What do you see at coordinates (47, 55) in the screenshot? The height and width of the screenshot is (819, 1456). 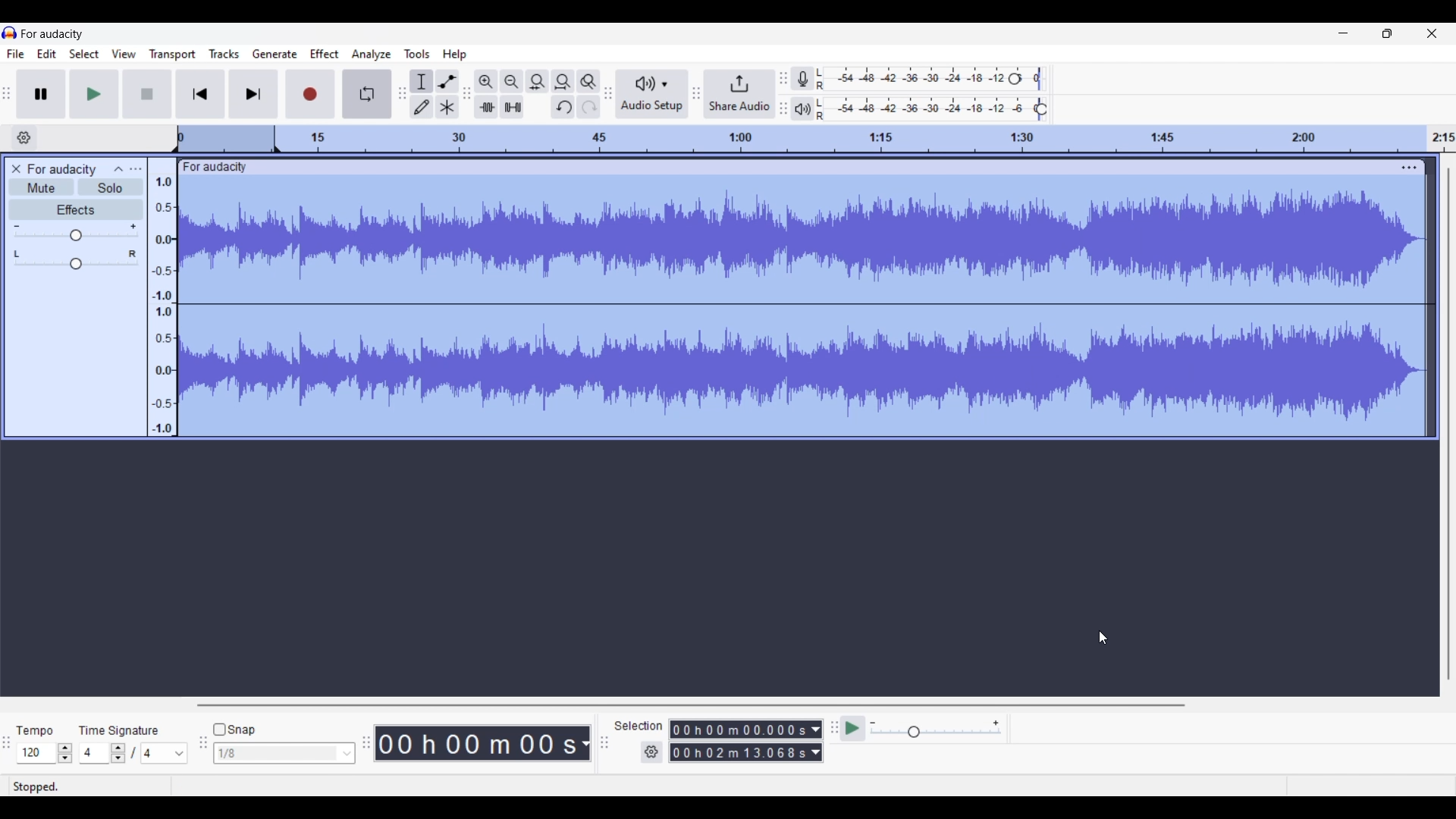 I see `Edit menu` at bounding box center [47, 55].